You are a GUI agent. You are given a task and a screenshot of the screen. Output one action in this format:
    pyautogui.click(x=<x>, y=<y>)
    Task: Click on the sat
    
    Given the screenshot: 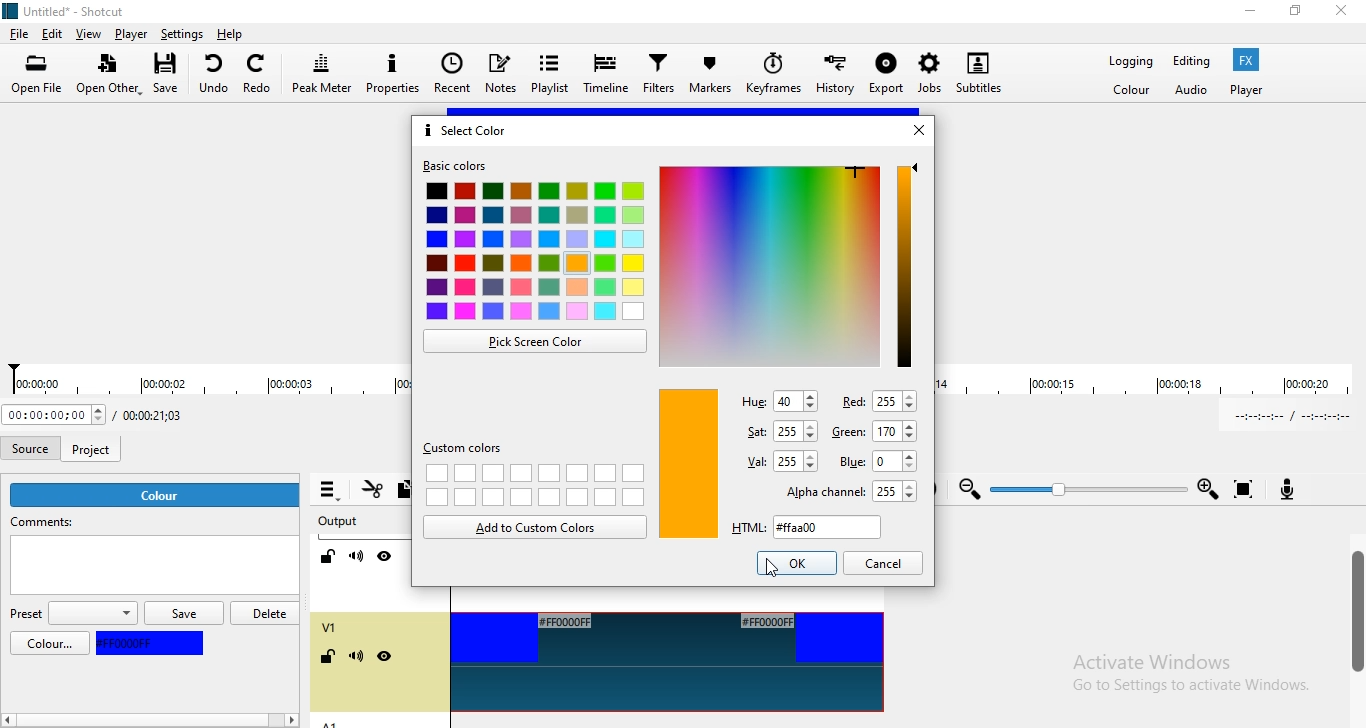 What is the action you would take?
    pyautogui.click(x=780, y=427)
    